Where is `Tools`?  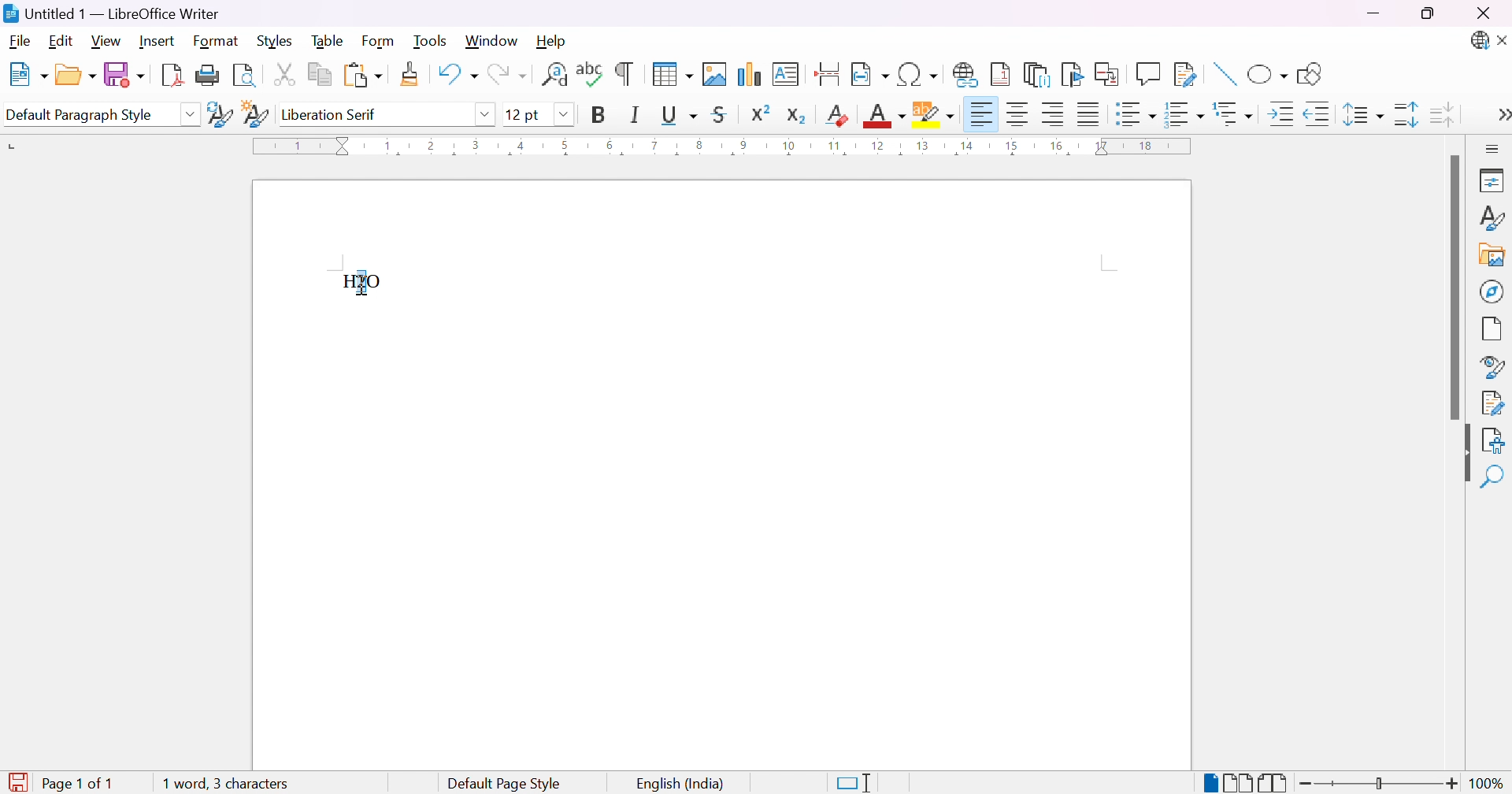 Tools is located at coordinates (433, 42).